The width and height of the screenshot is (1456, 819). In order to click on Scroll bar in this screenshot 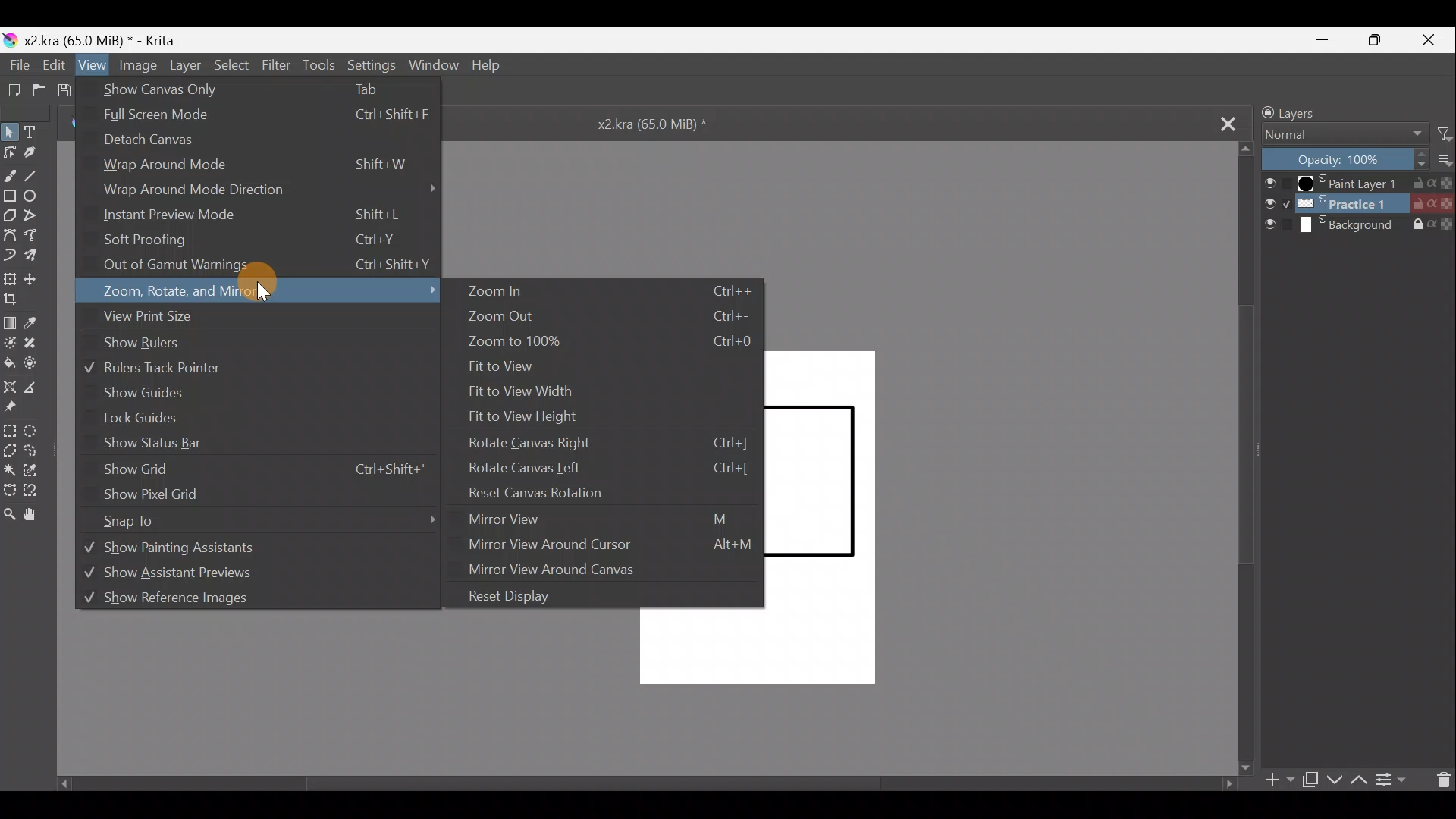, I will do `click(632, 783)`.